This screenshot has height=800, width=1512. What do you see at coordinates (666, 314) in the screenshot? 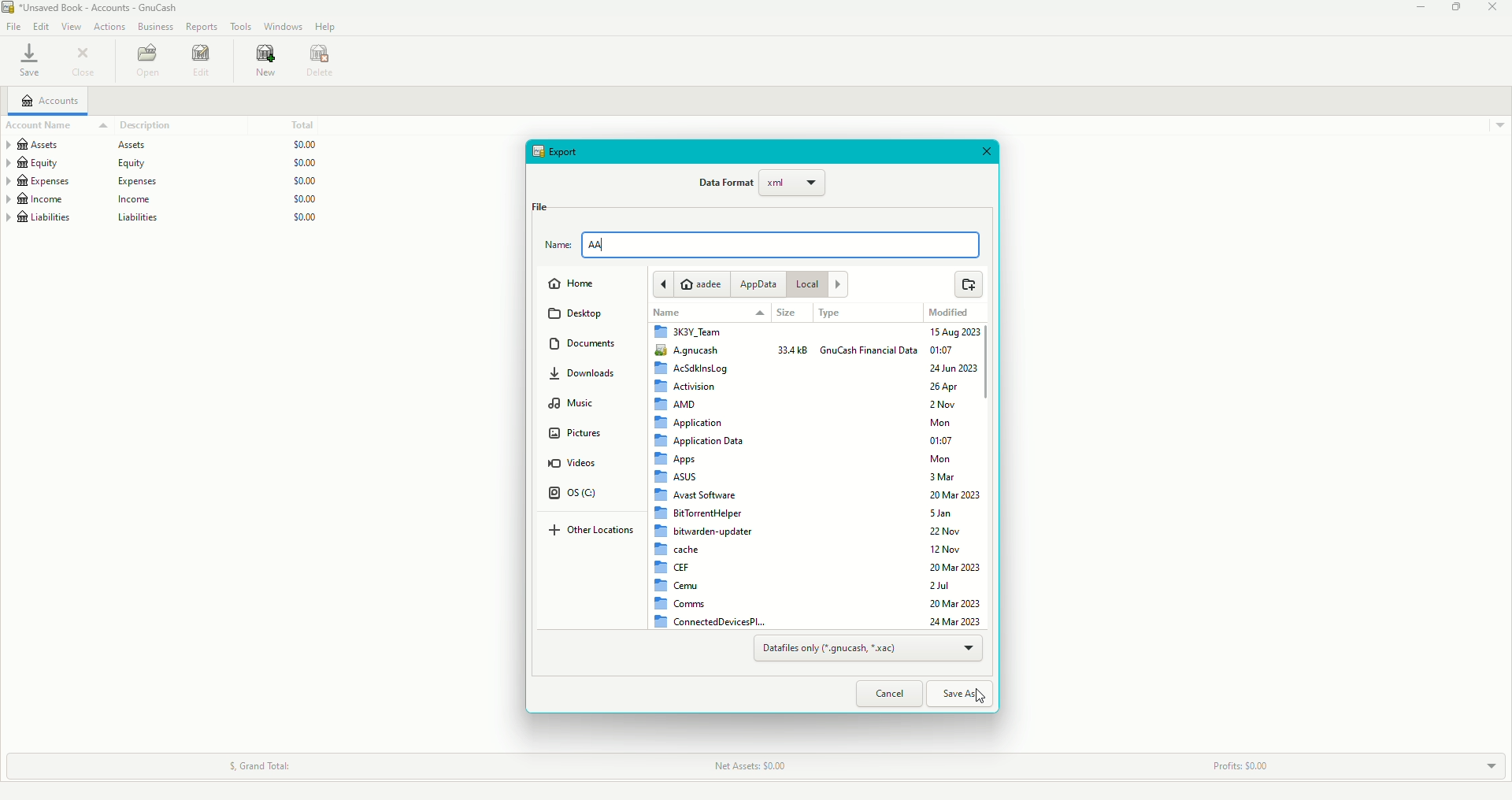
I see `Name` at bounding box center [666, 314].